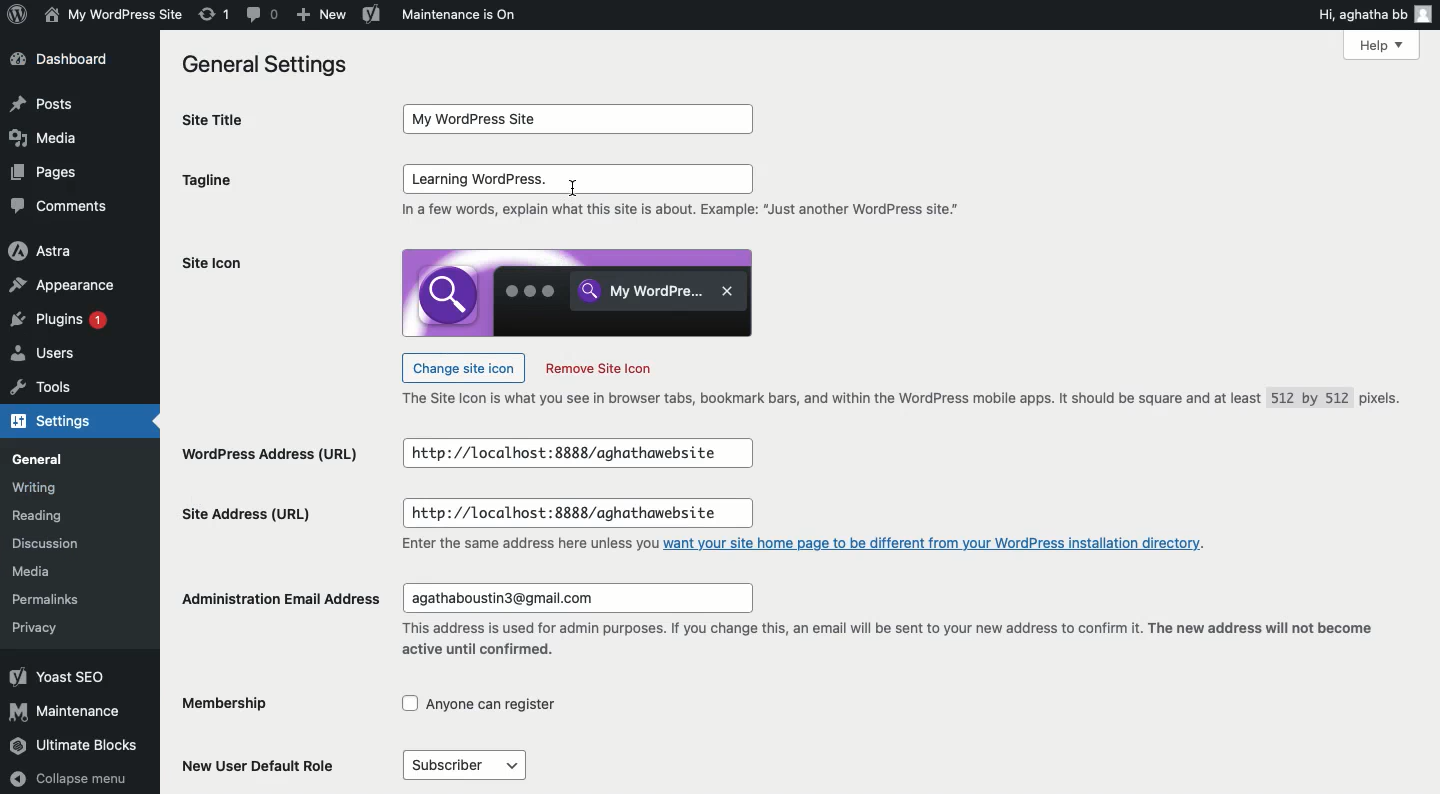 Image resolution: width=1440 pixels, height=794 pixels. I want to click on Site address, so click(251, 513).